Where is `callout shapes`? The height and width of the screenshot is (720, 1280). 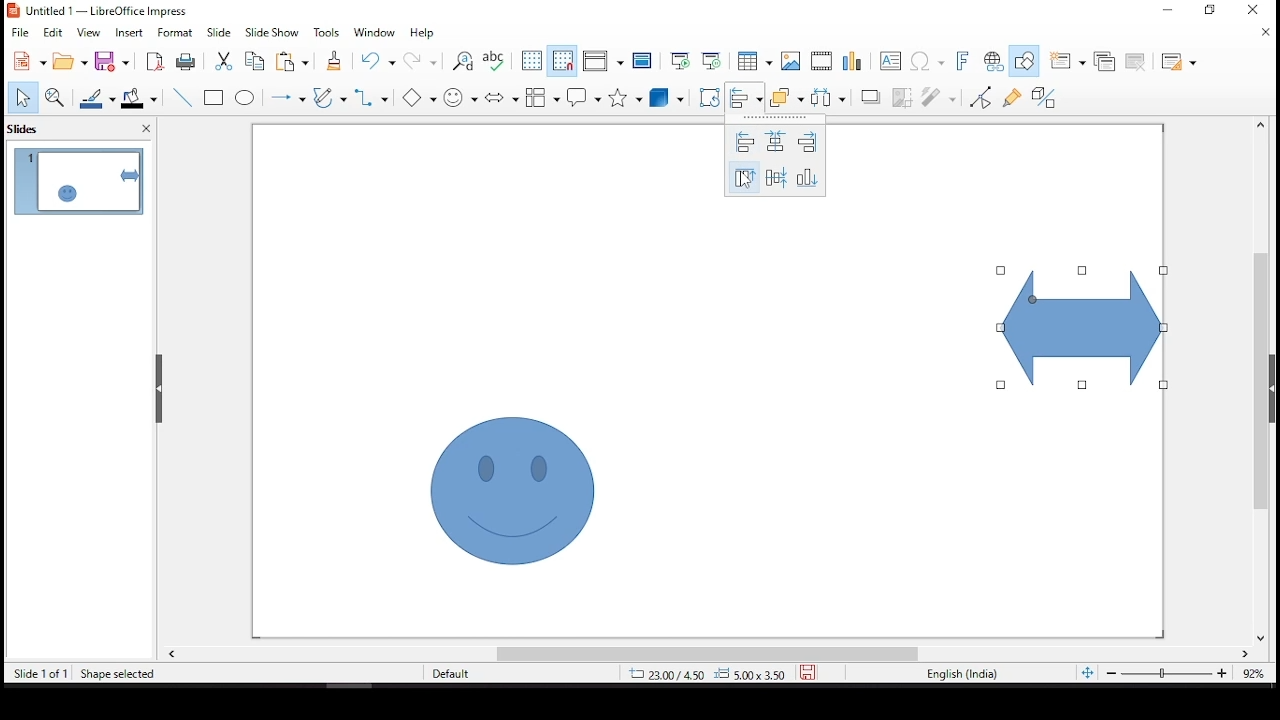 callout shapes is located at coordinates (585, 98).